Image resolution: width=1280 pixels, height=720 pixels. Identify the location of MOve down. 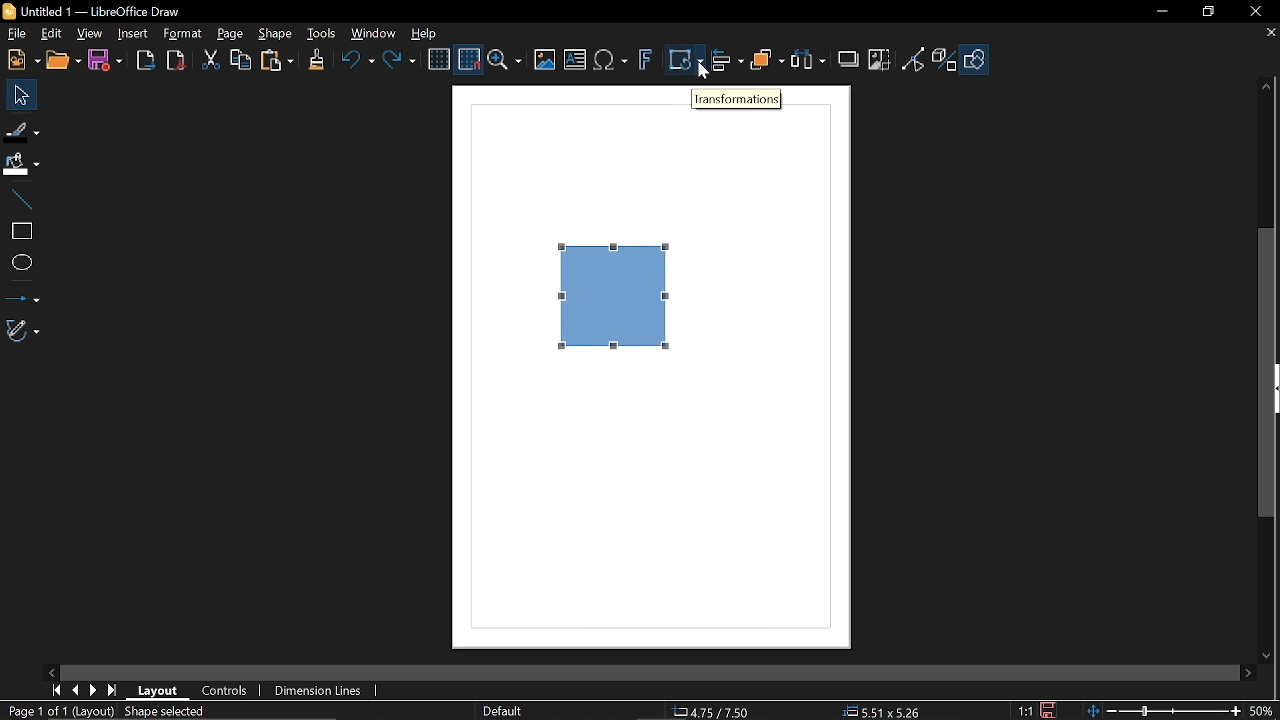
(1272, 655).